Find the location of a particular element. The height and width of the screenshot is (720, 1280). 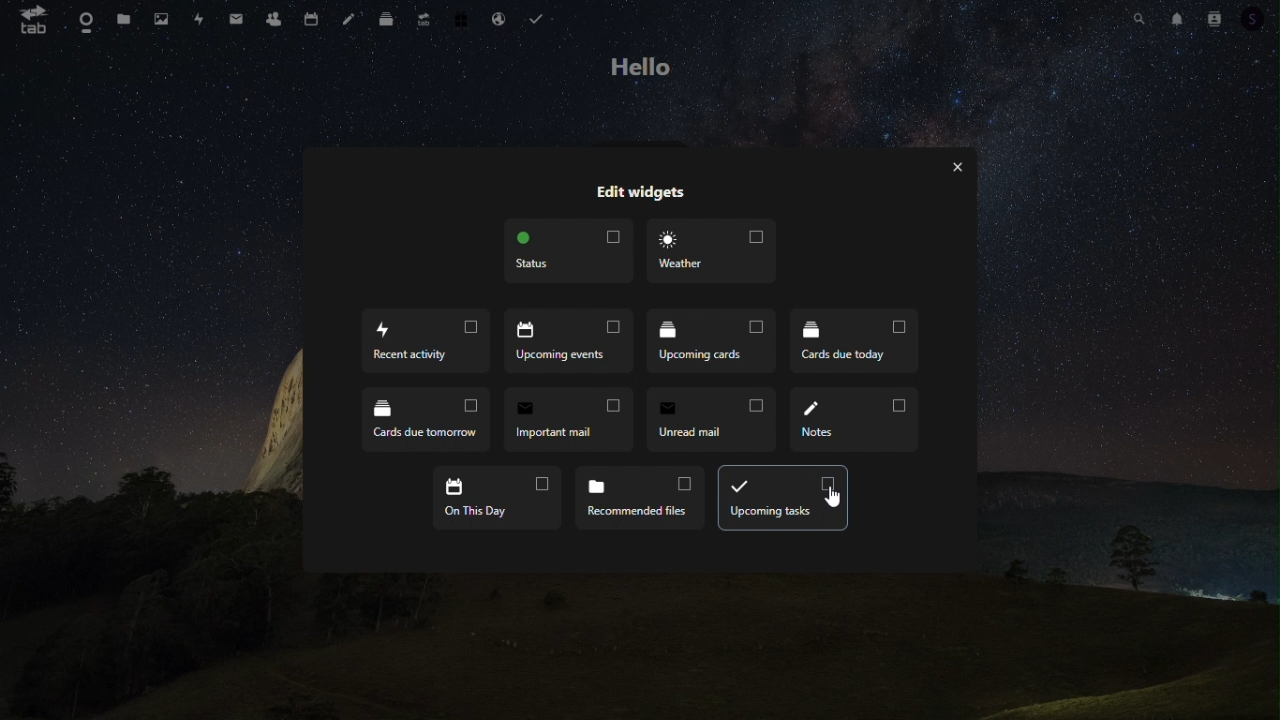

tab is located at coordinates (31, 24).